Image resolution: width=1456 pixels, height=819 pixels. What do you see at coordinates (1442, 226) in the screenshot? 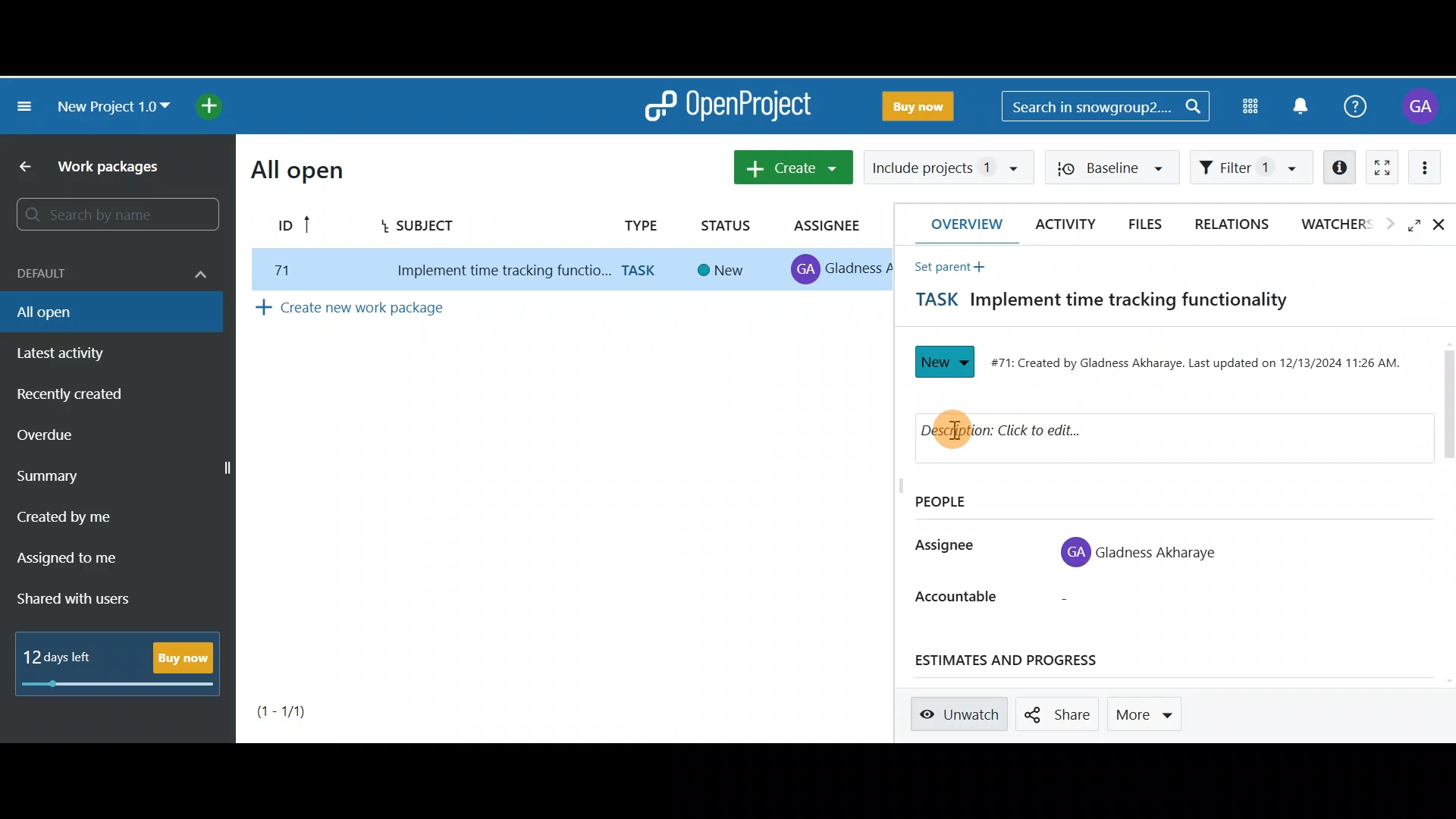
I see `Close details view` at bounding box center [1442, 226].